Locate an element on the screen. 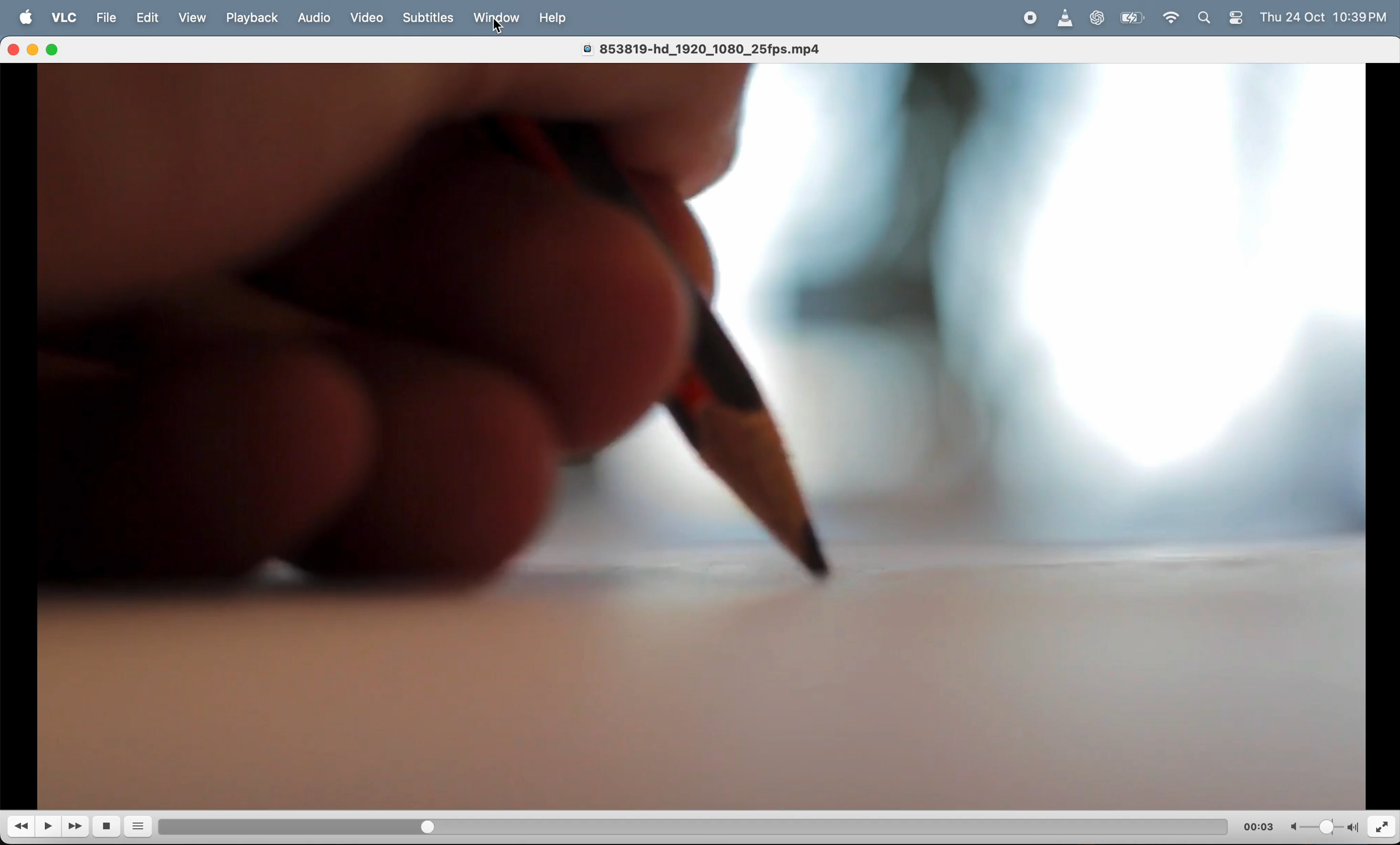 This screenshot has width=1400, height=845. volume  is located at coordinates (1322, 826).